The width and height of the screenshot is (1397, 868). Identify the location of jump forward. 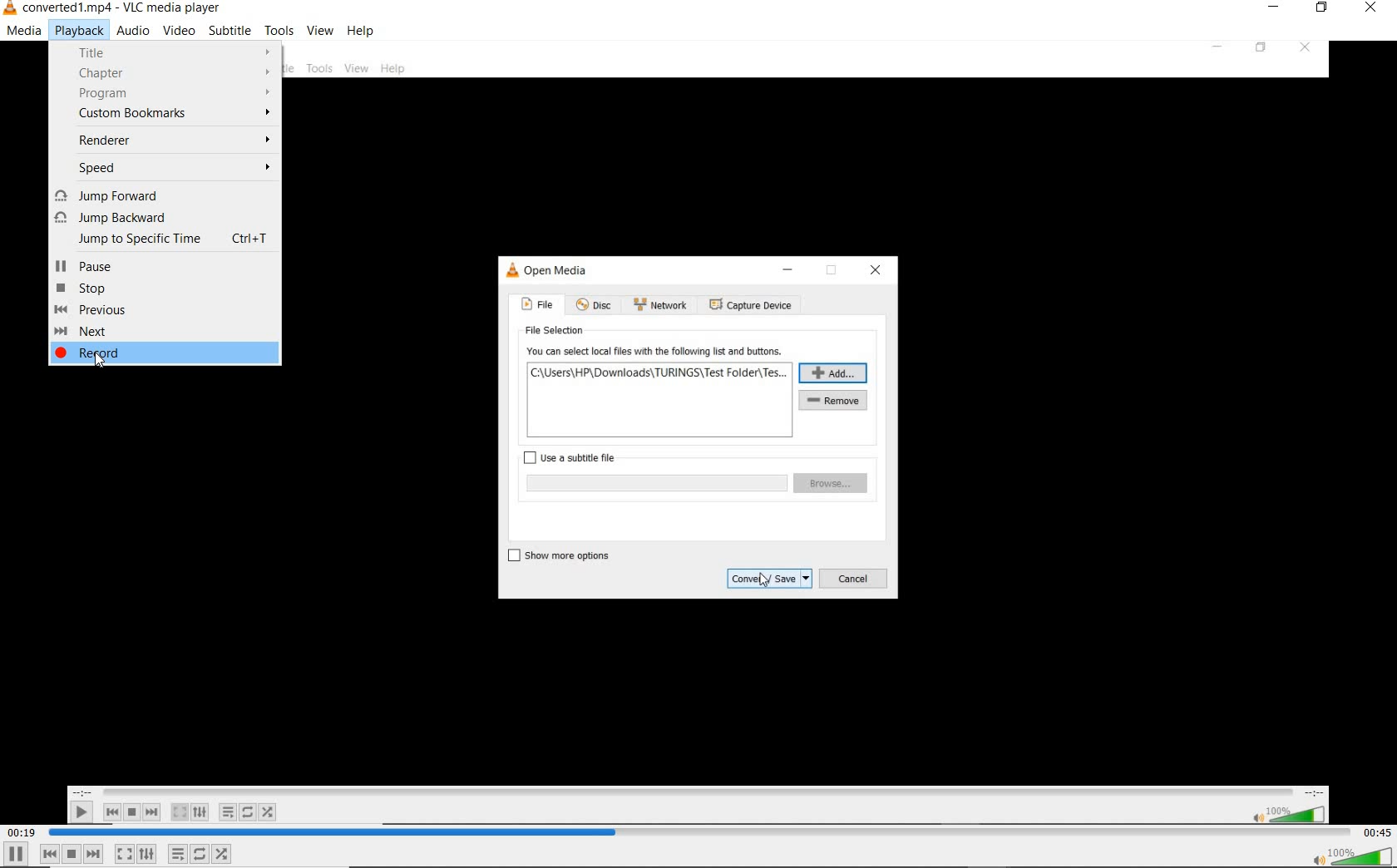
(165, 196).